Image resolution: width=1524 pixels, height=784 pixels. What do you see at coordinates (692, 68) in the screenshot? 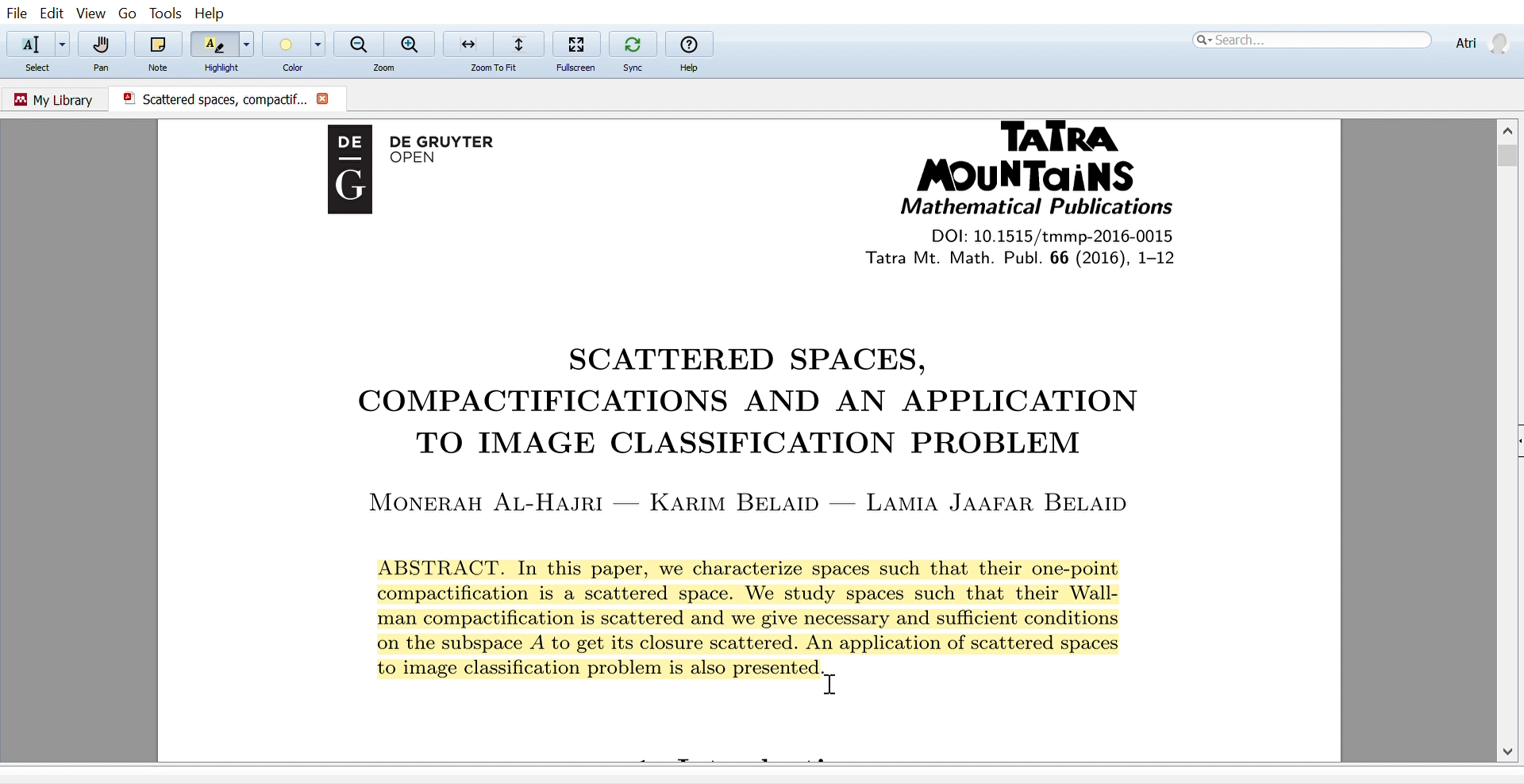
I see `Help` at bounding box center [692, 68].